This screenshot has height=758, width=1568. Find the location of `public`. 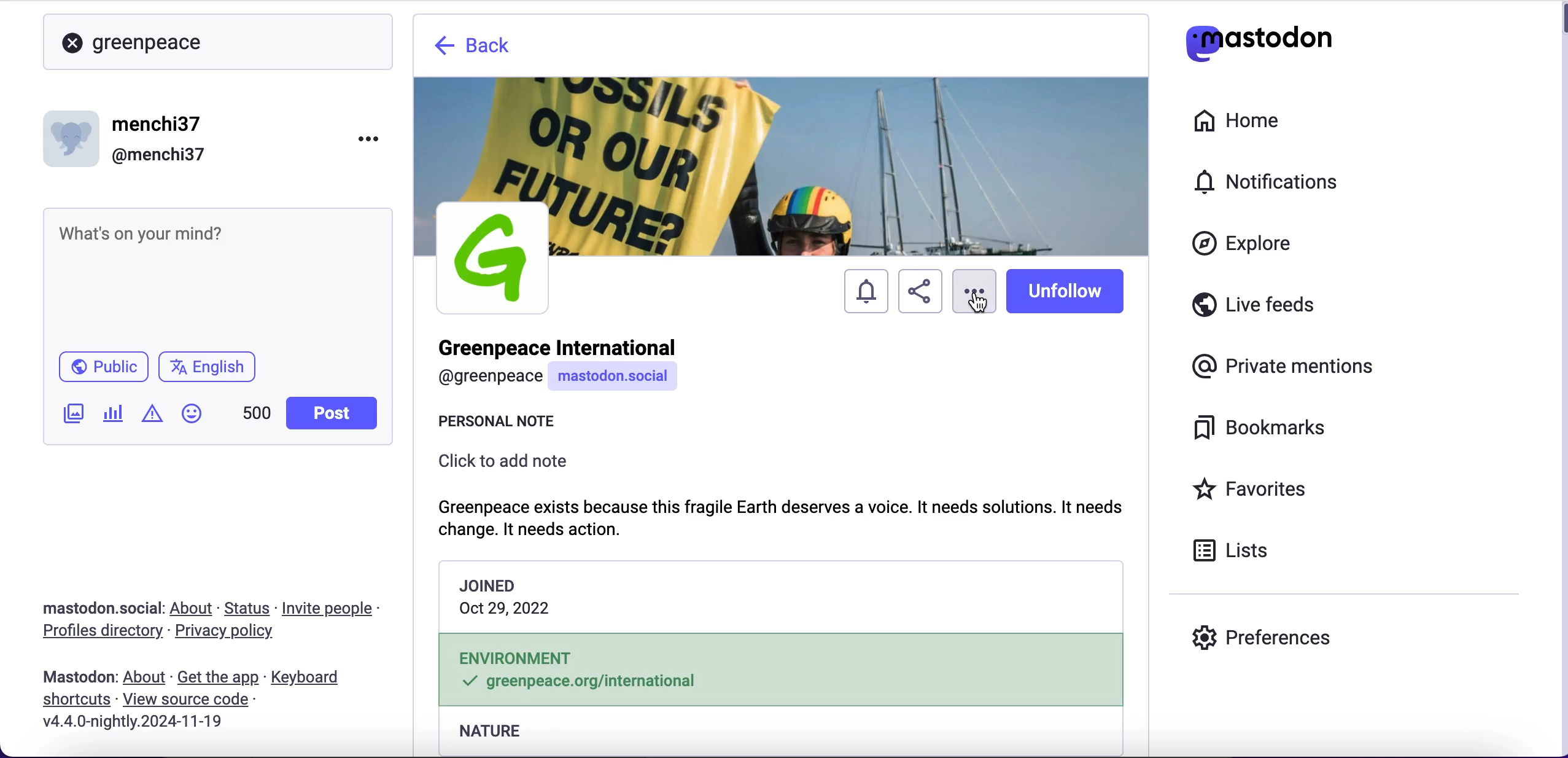

public is located at coordinates (102, 370).